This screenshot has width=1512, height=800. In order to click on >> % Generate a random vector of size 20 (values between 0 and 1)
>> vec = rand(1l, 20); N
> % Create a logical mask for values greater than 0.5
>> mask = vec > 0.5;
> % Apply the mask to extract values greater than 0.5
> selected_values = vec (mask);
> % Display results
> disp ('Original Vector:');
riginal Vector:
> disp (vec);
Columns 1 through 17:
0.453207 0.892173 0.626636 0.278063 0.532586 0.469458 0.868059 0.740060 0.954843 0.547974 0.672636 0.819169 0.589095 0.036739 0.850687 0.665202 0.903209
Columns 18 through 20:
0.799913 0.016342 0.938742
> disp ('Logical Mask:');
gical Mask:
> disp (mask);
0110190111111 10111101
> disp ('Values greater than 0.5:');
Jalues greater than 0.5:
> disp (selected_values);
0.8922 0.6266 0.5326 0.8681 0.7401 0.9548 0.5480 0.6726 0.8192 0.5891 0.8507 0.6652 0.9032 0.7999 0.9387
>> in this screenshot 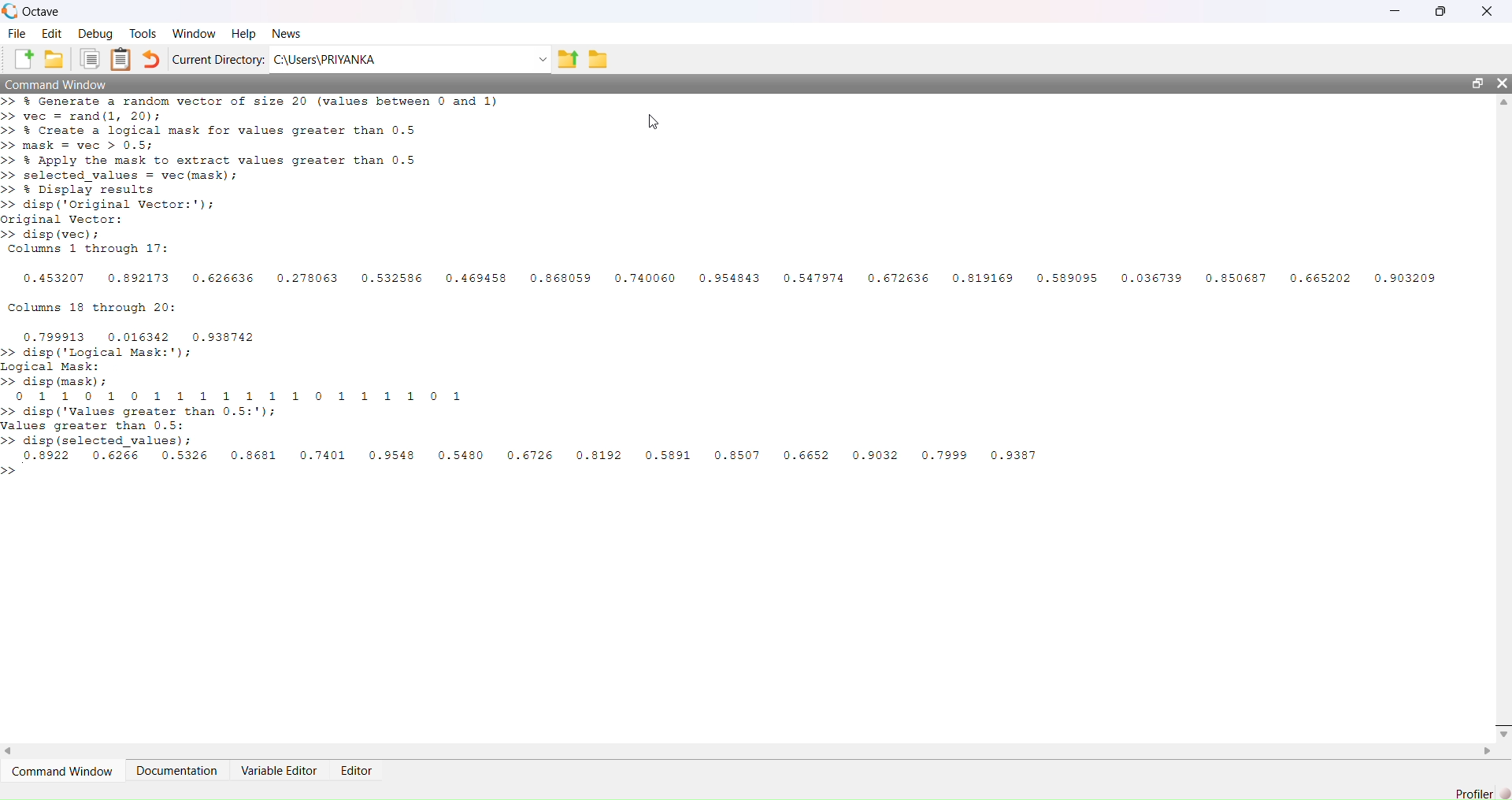, I will do `click(720, 294)`.